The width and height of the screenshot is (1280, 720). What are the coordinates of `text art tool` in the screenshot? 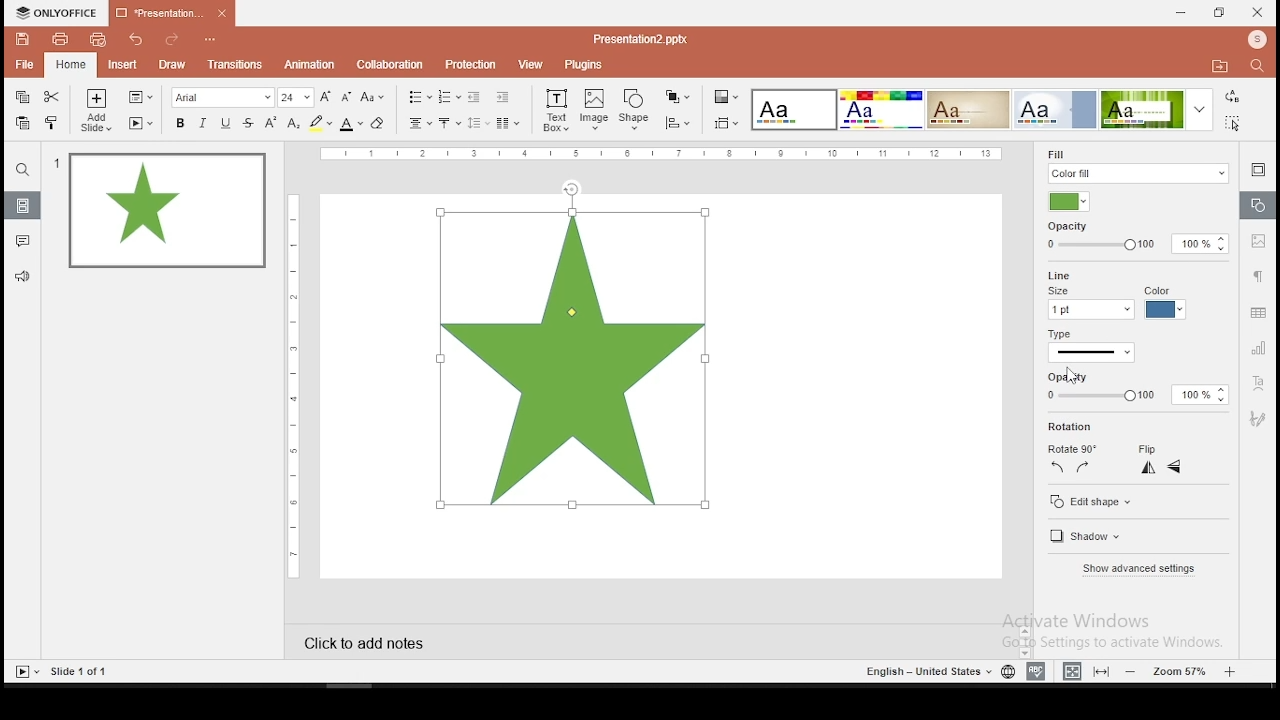 It's located at (1256, 385).